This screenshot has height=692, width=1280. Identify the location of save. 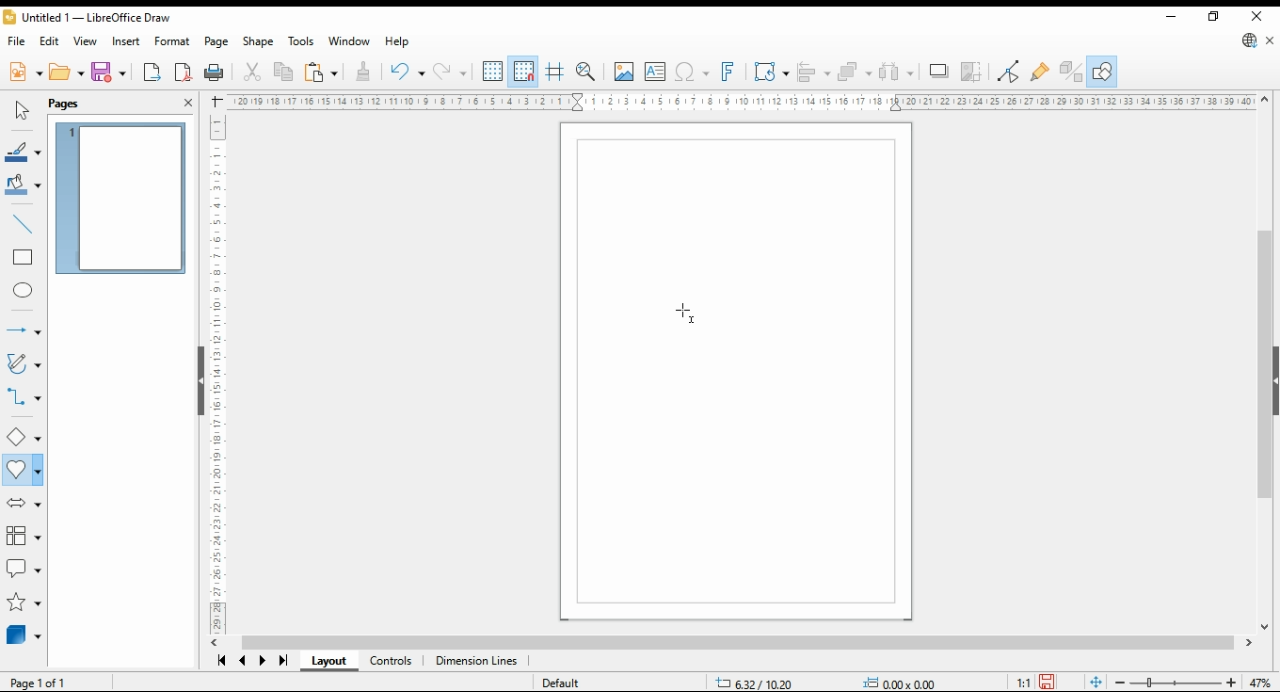
(110, 72).